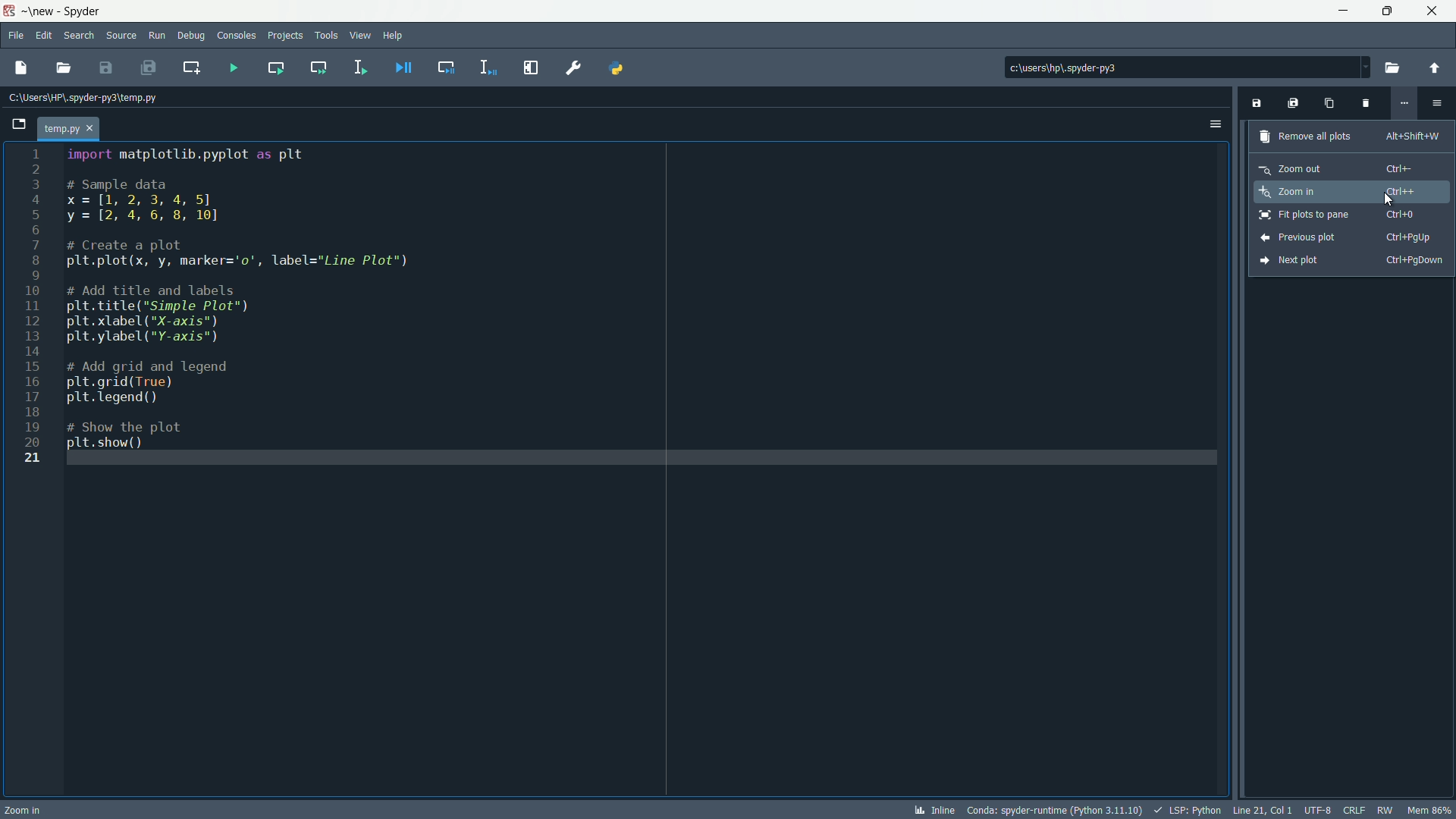 The width and height of the screenshot is (1456, 819). I want to click on create new cell at the current line, so click(193, 65).